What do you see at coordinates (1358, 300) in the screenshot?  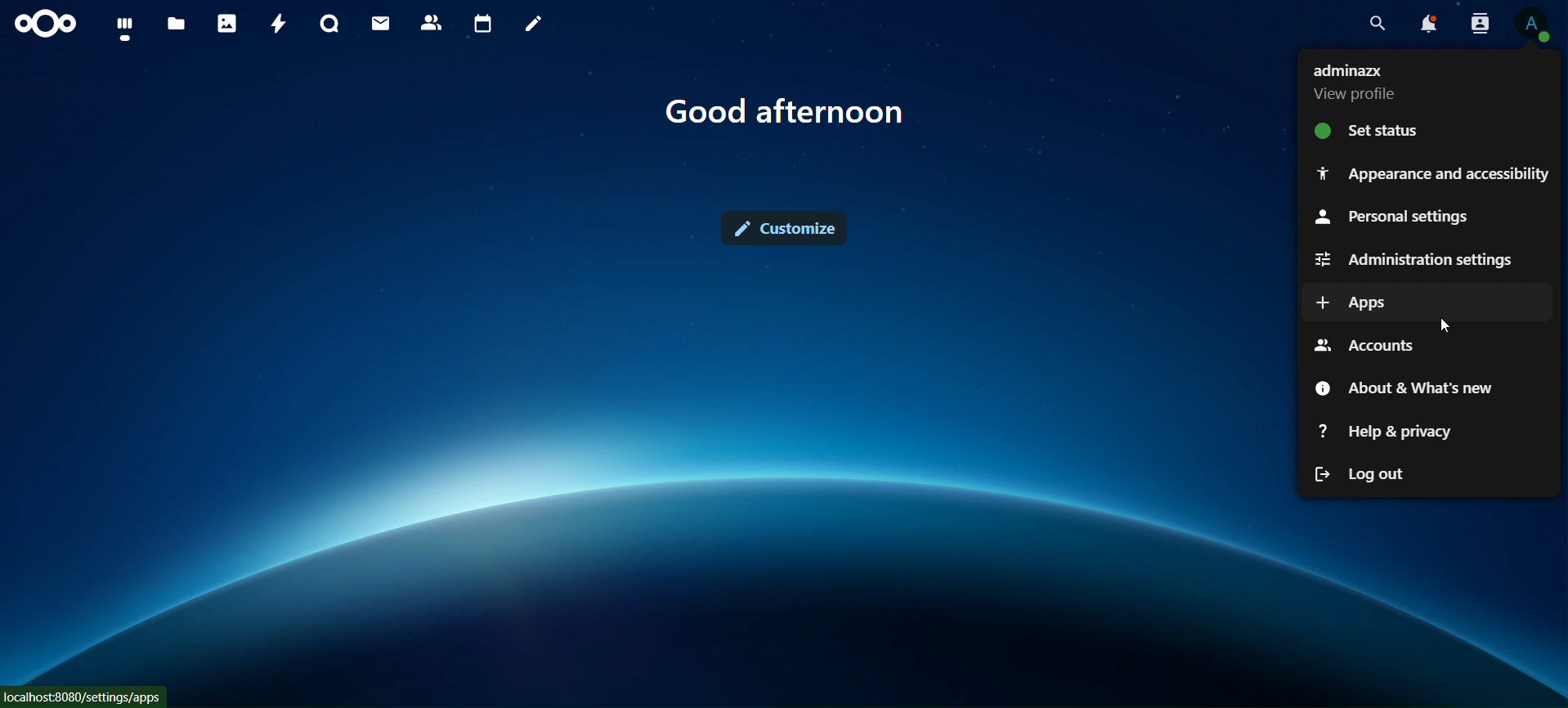 I see `apps` at bounding box center [1358, 300].